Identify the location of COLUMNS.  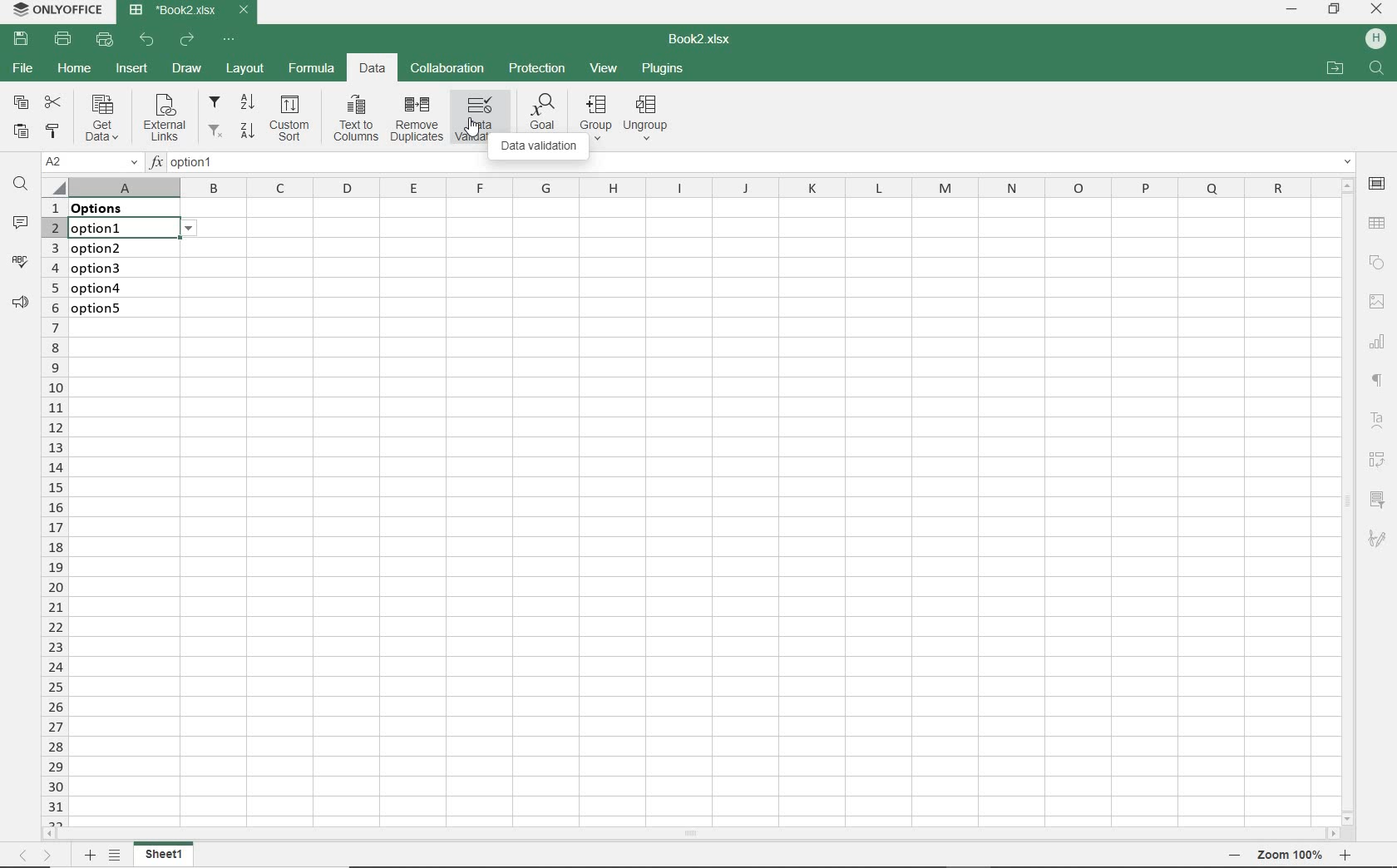
(700, 186).